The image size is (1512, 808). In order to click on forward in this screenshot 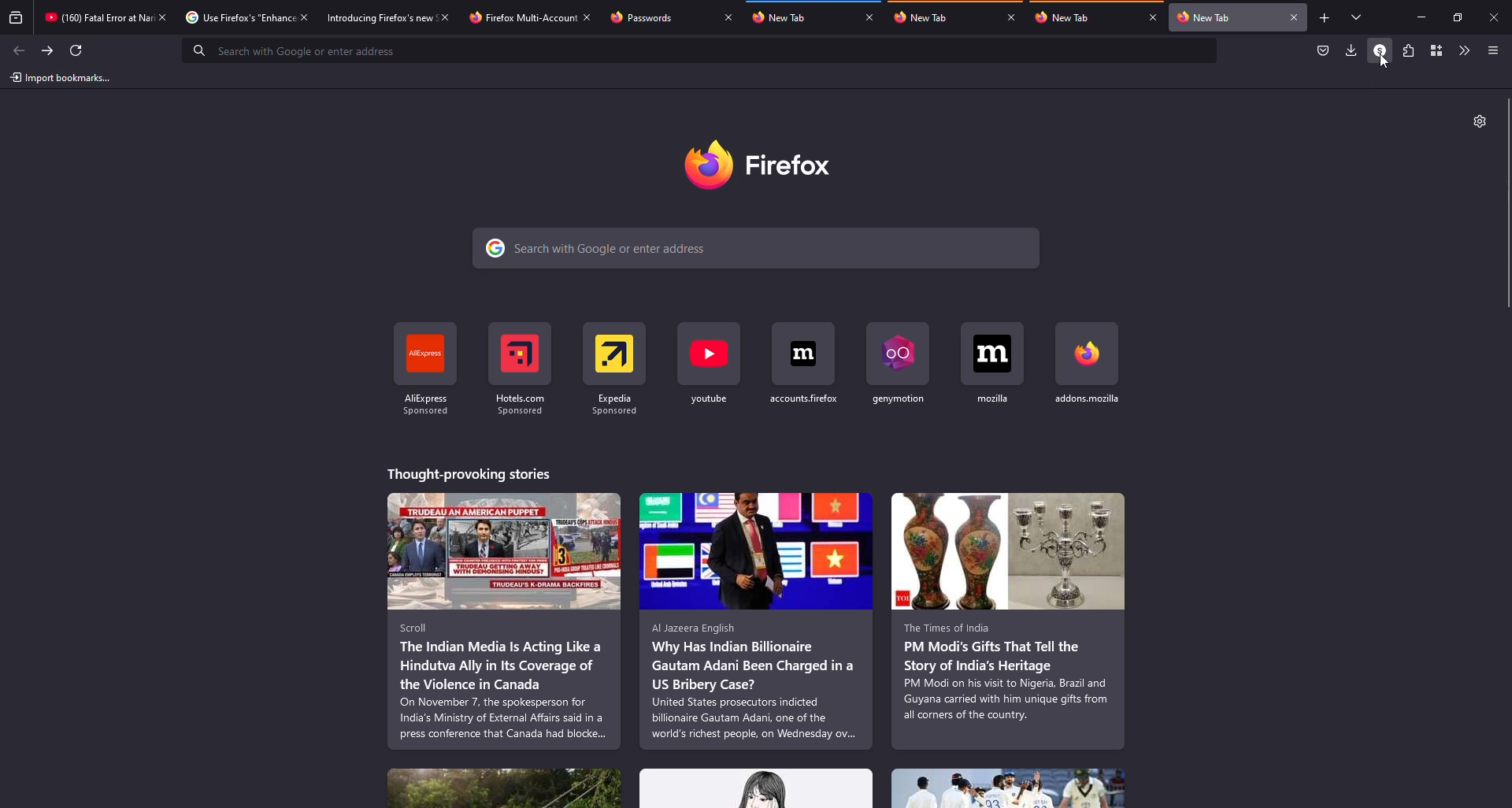, I will do `click(50, 50)`.